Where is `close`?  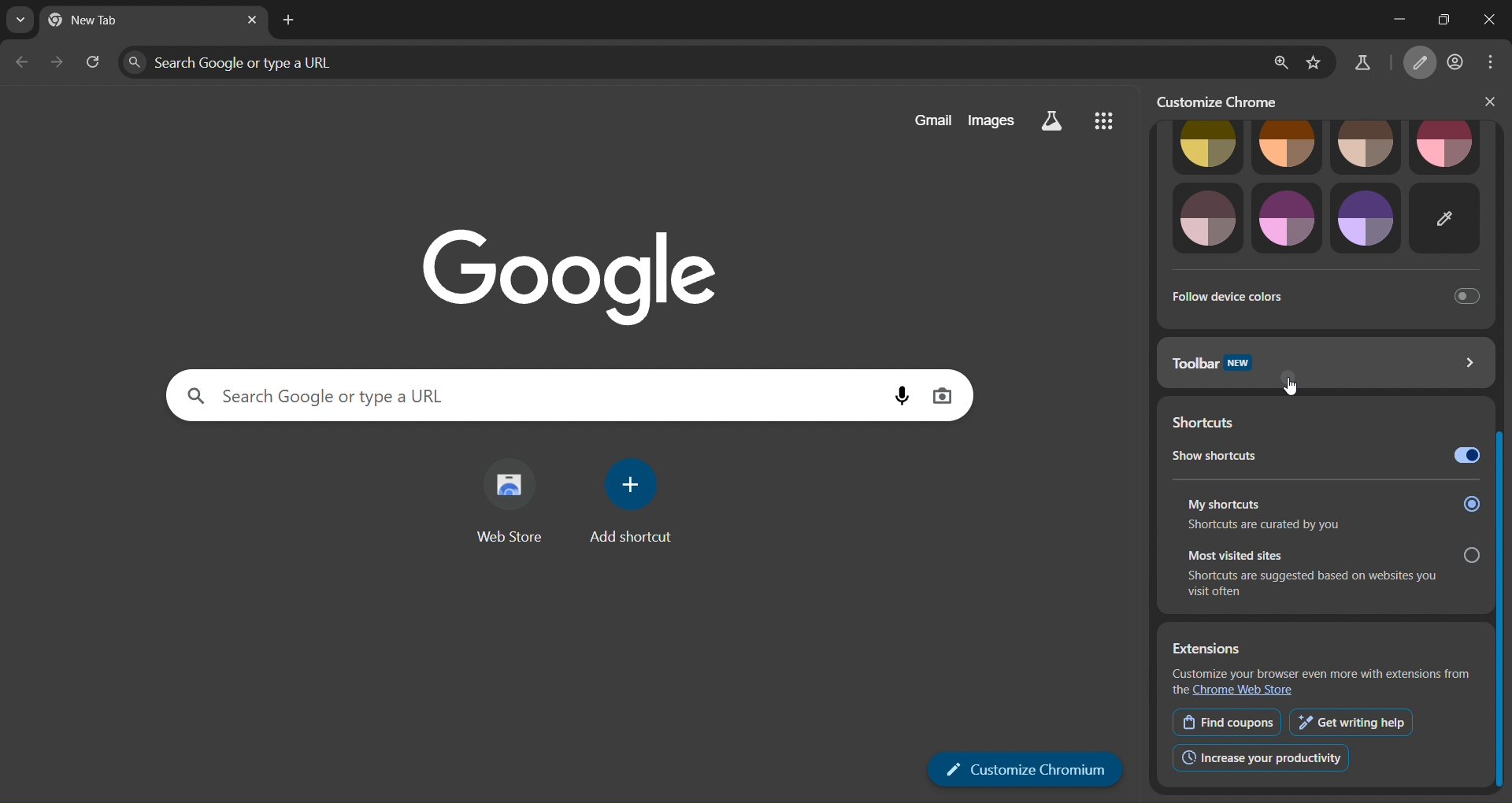 close is located at coordinates (1483, 20).